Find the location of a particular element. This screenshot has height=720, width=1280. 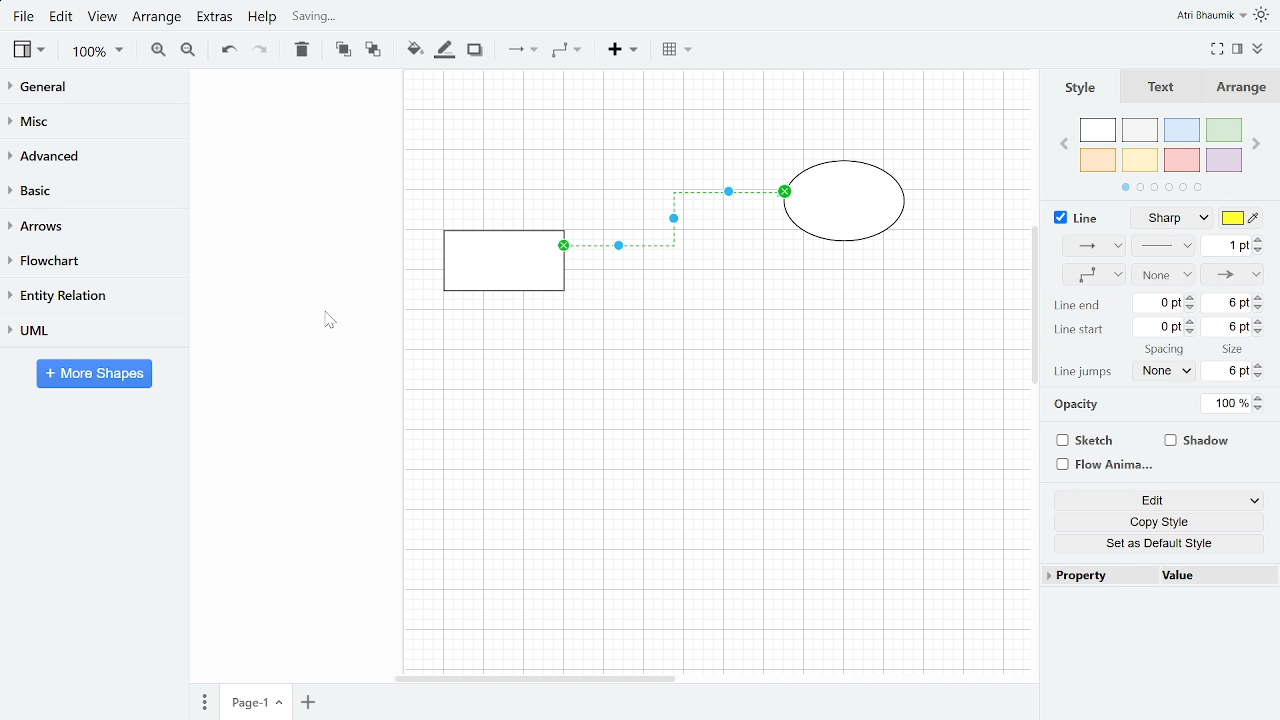

Redo is located at coordinates (260, 50).